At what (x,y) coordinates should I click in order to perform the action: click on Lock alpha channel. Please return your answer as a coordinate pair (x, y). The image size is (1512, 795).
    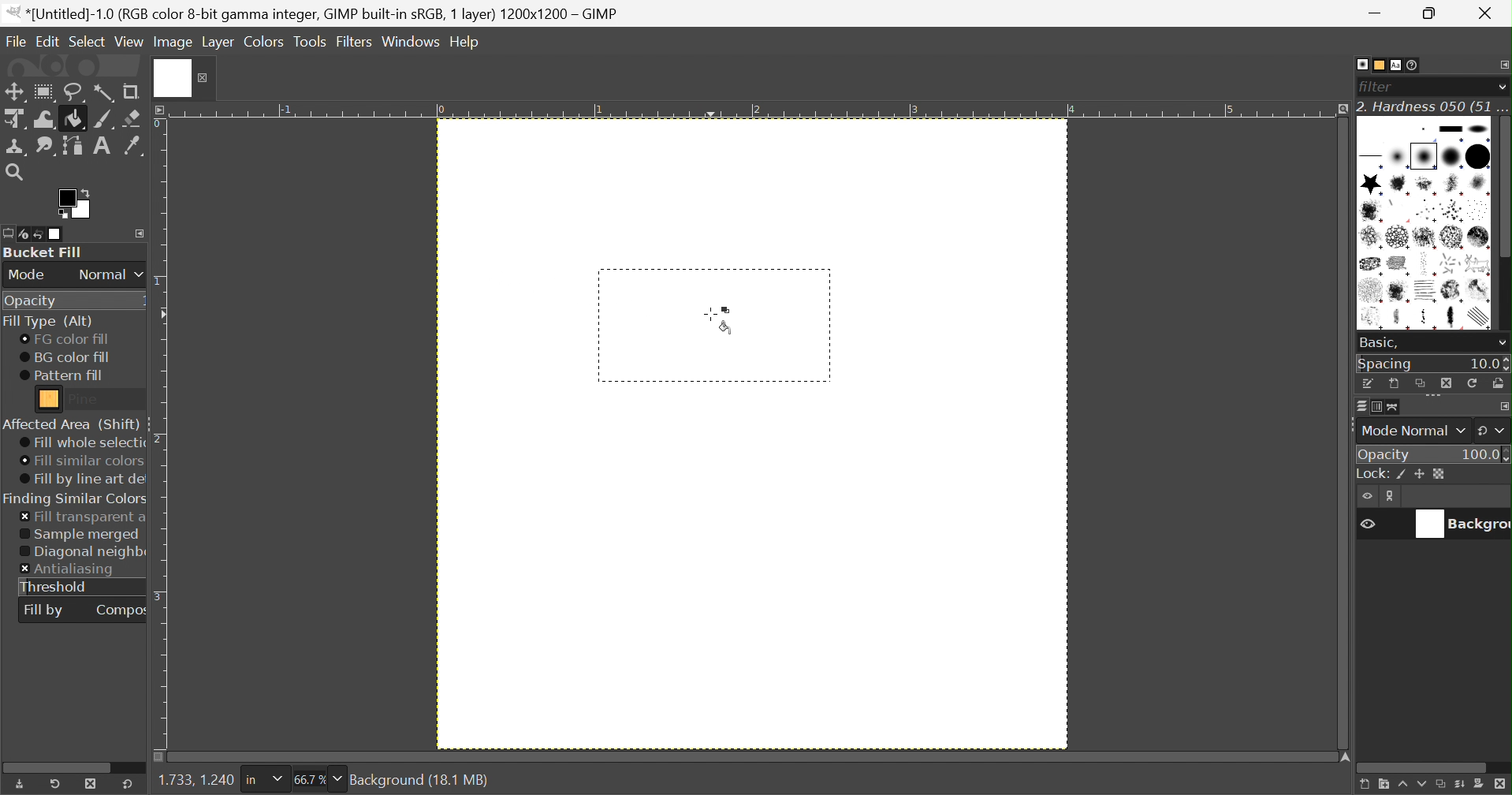
    Looking at the image, I should click on (1439, 474).